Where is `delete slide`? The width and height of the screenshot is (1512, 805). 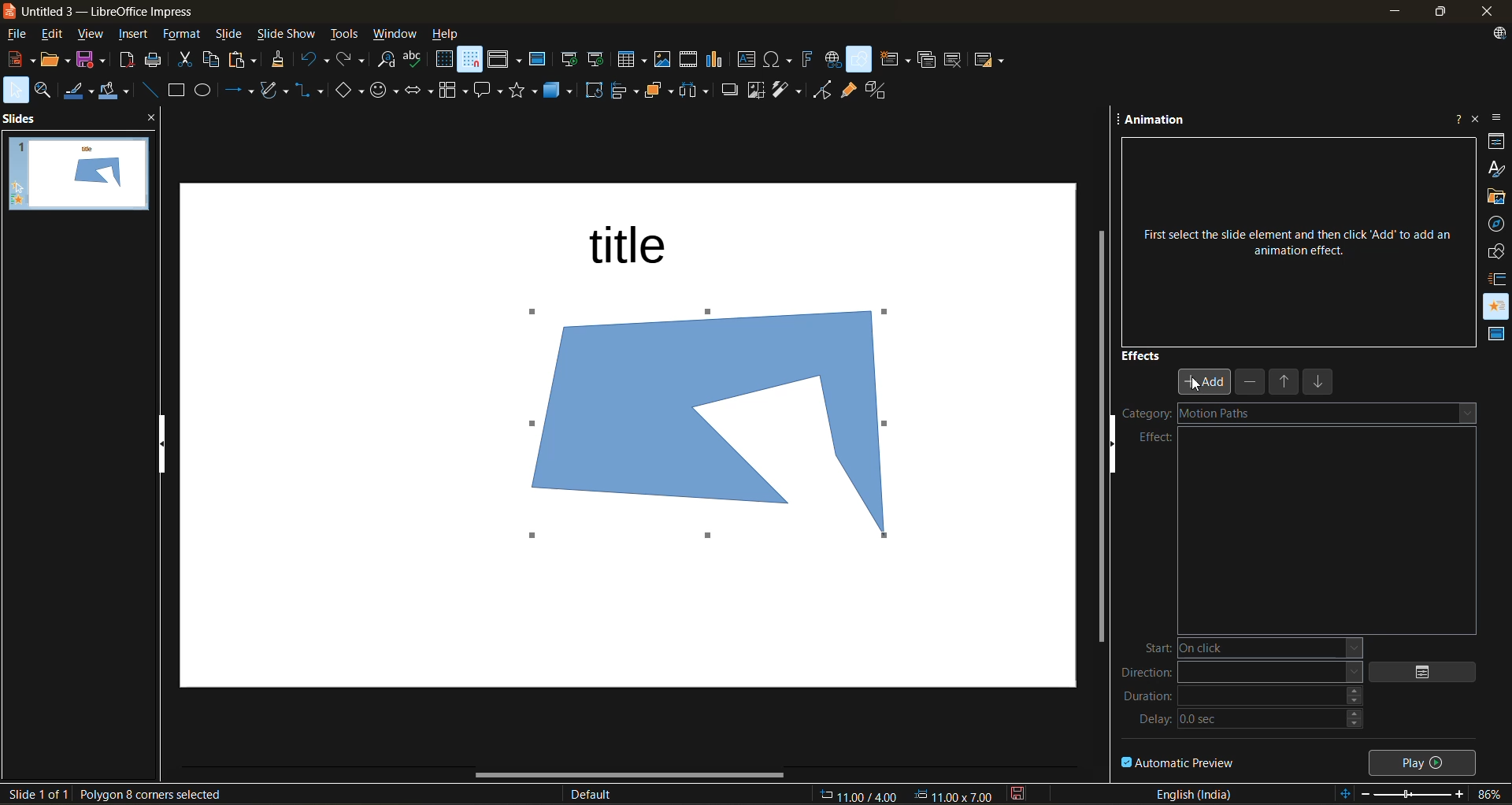
delete slide is located at coordinates (954, 63).